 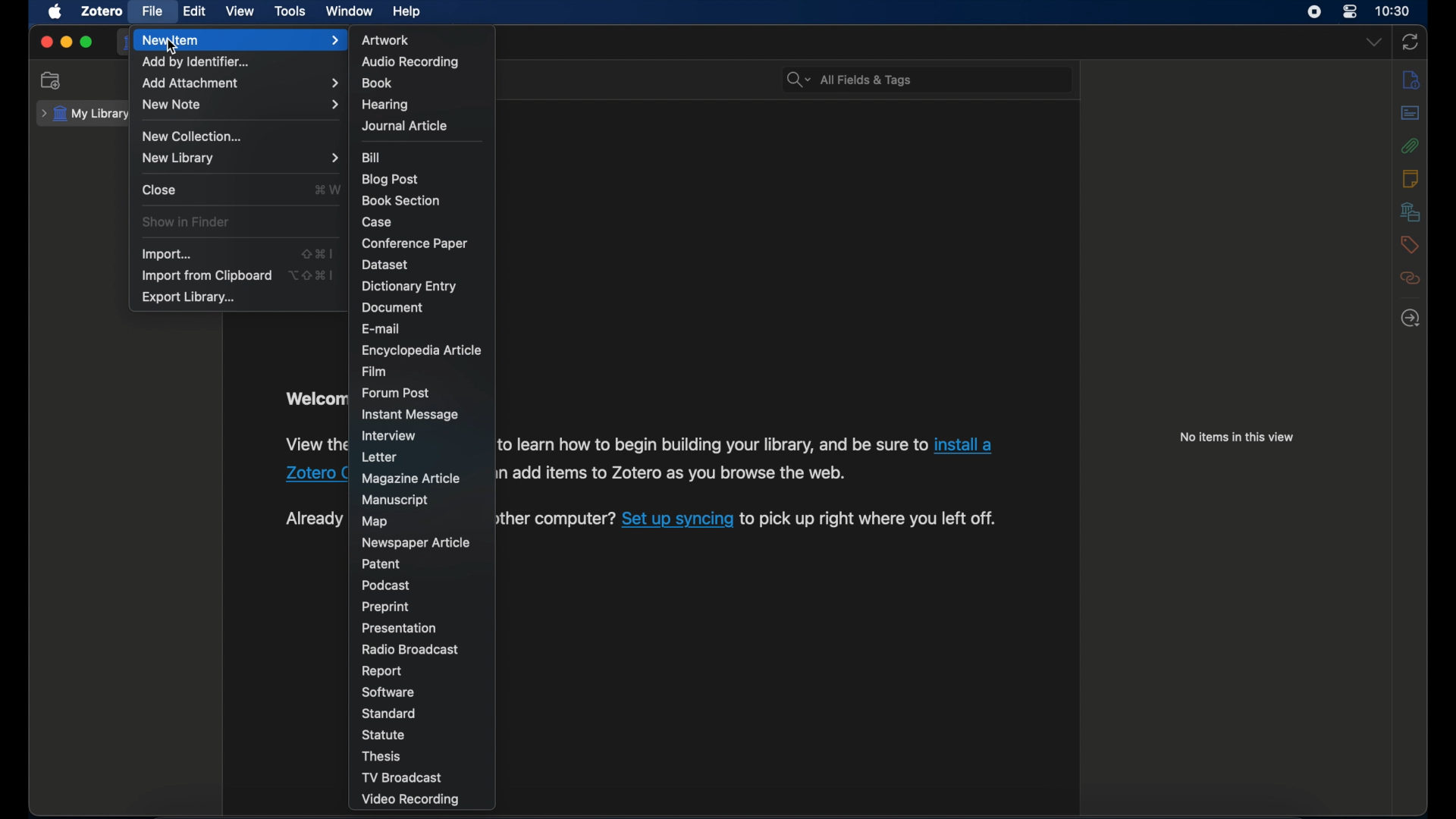 I want to click on case, so click(x=378, y=221).